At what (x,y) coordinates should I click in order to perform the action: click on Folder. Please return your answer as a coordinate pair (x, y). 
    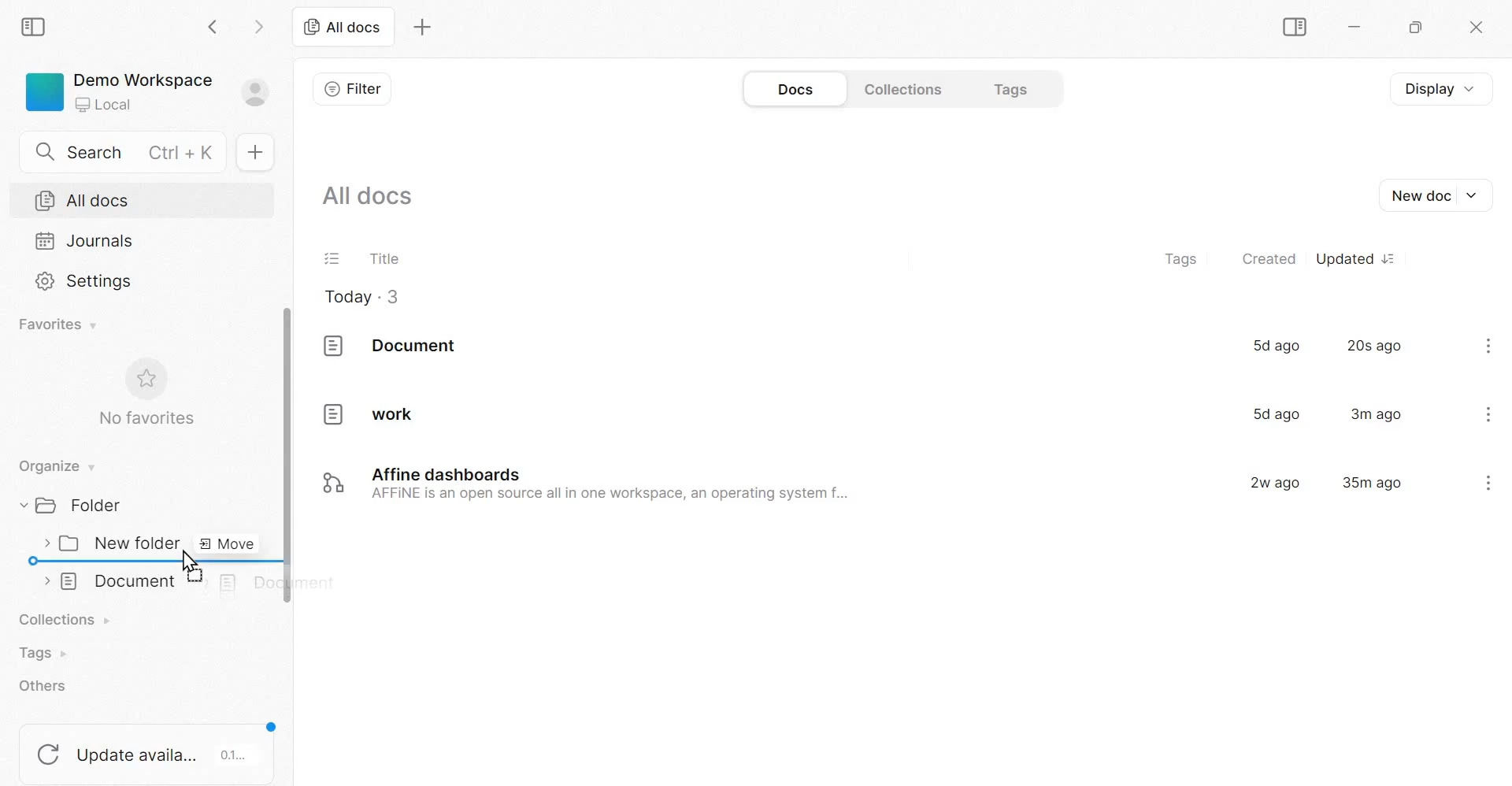
    Looking at the image, I should click on (77, 506).